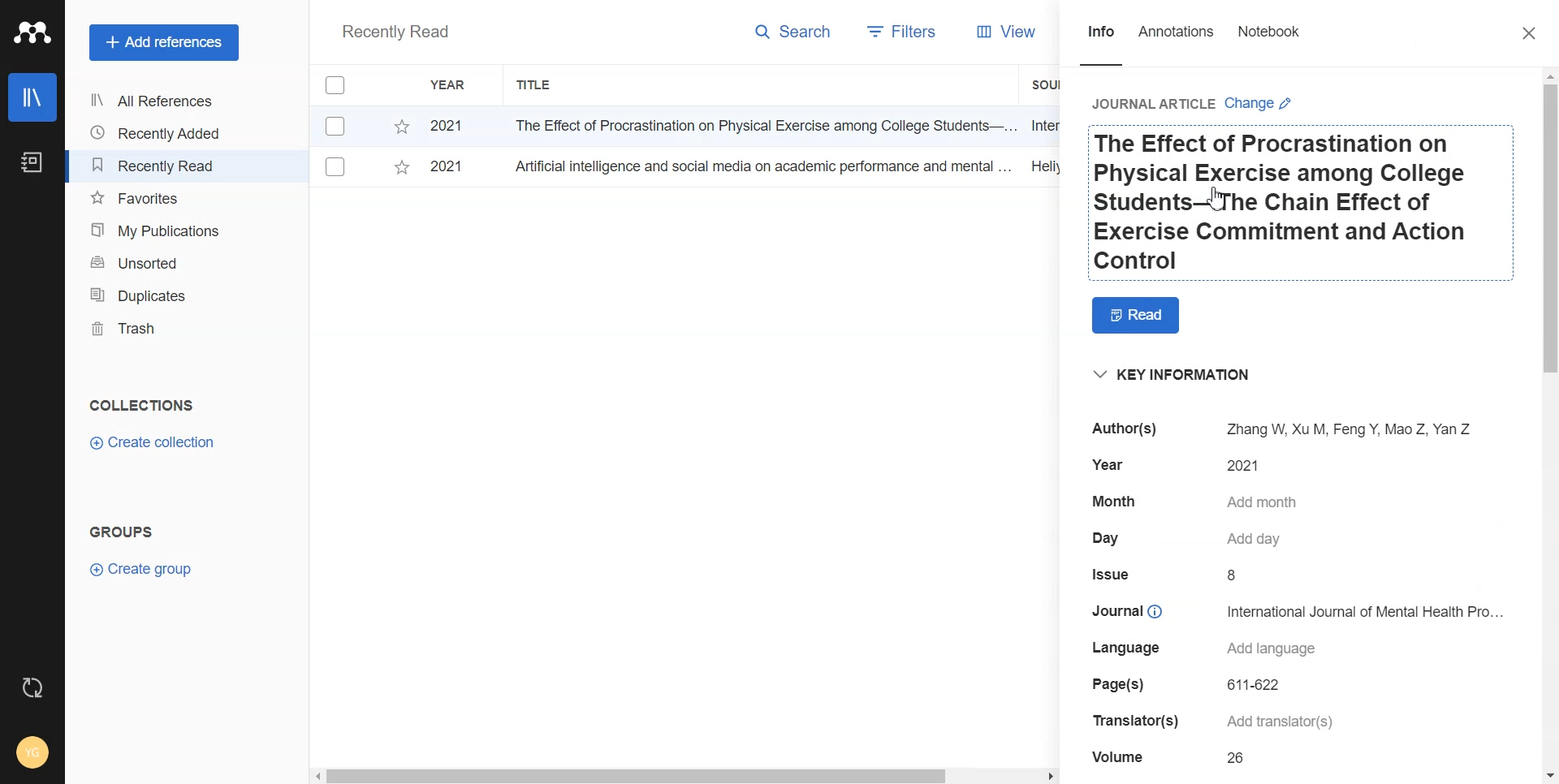 This screenshot has height=784, width=1559. Describe the element at coordinates (126, 532) in the screenshot. I see `Groups` at that location.